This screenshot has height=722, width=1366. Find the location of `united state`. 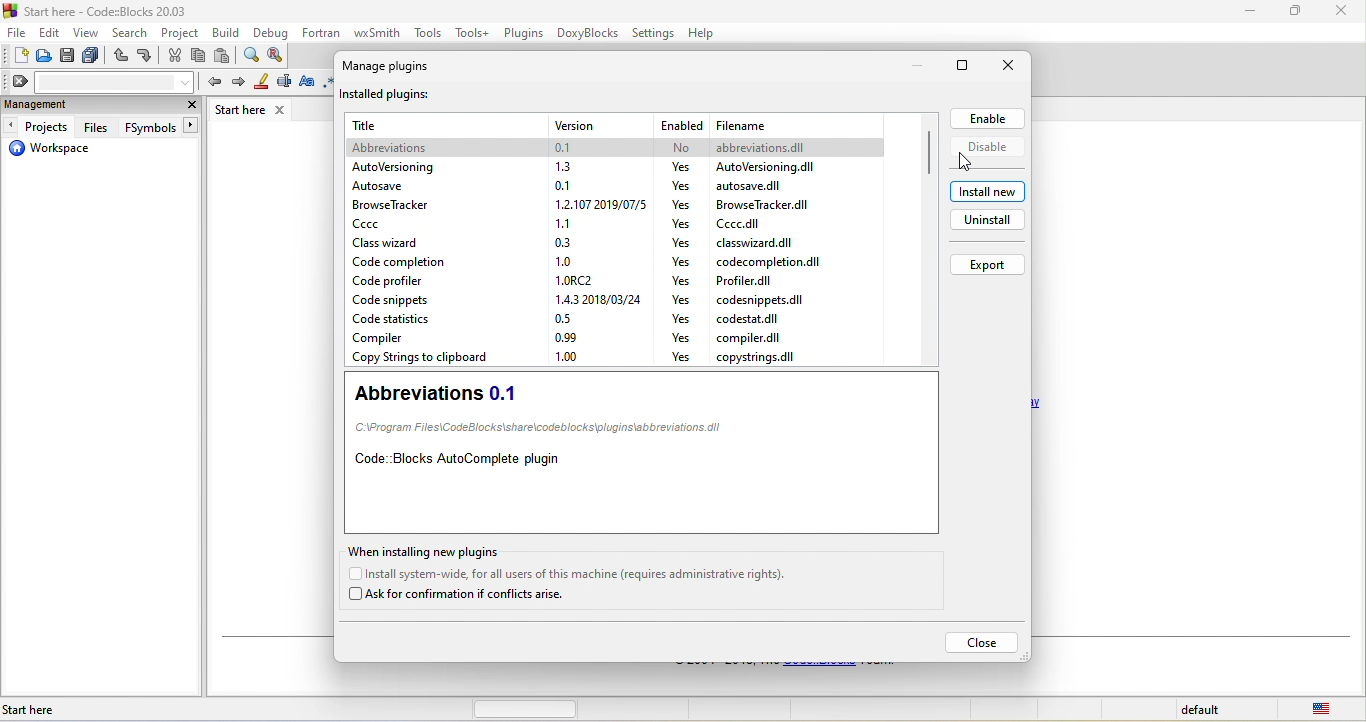

united state is located at coordinates (1325, 710).